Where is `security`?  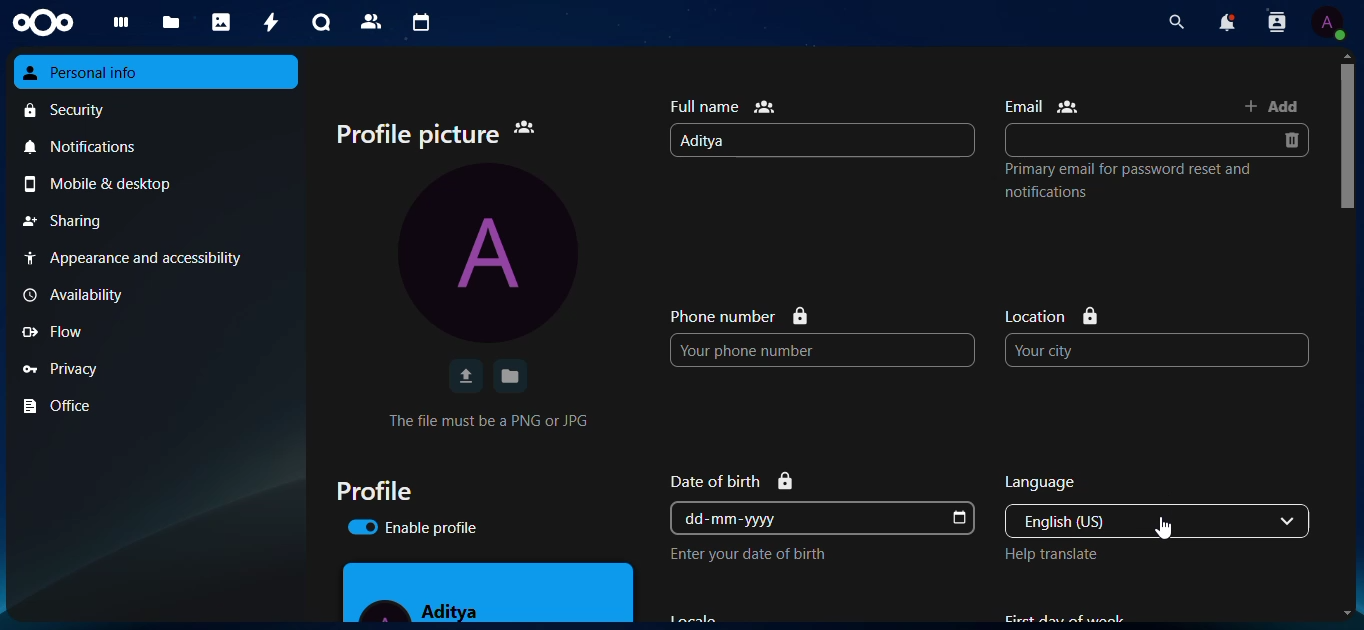
security is located at coordinates (71, 111).